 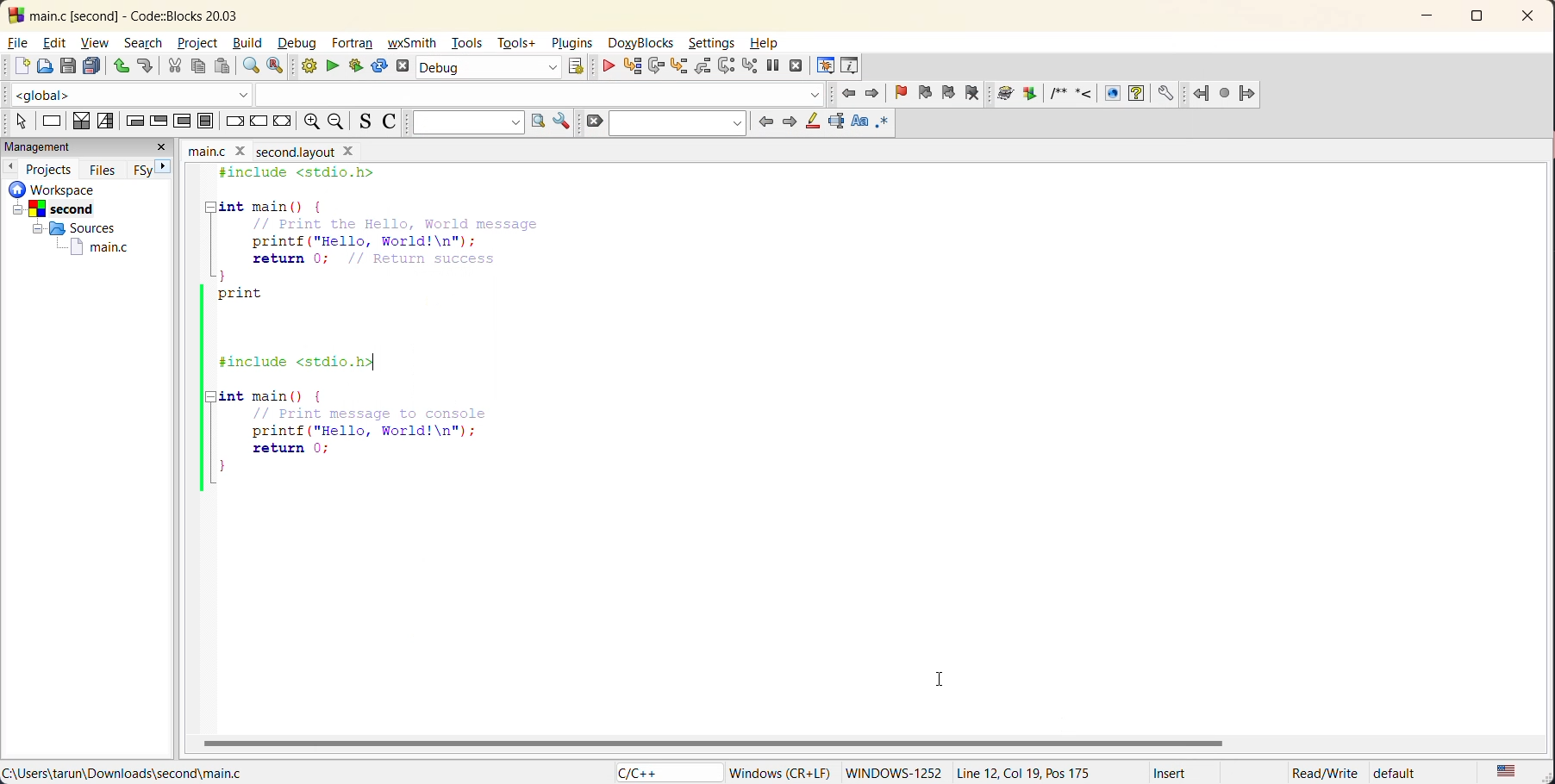 What do you see at coordinates (781, 772) in the screenshot?
I see `windows (CR+LF)` at bounding box center [781, 772].